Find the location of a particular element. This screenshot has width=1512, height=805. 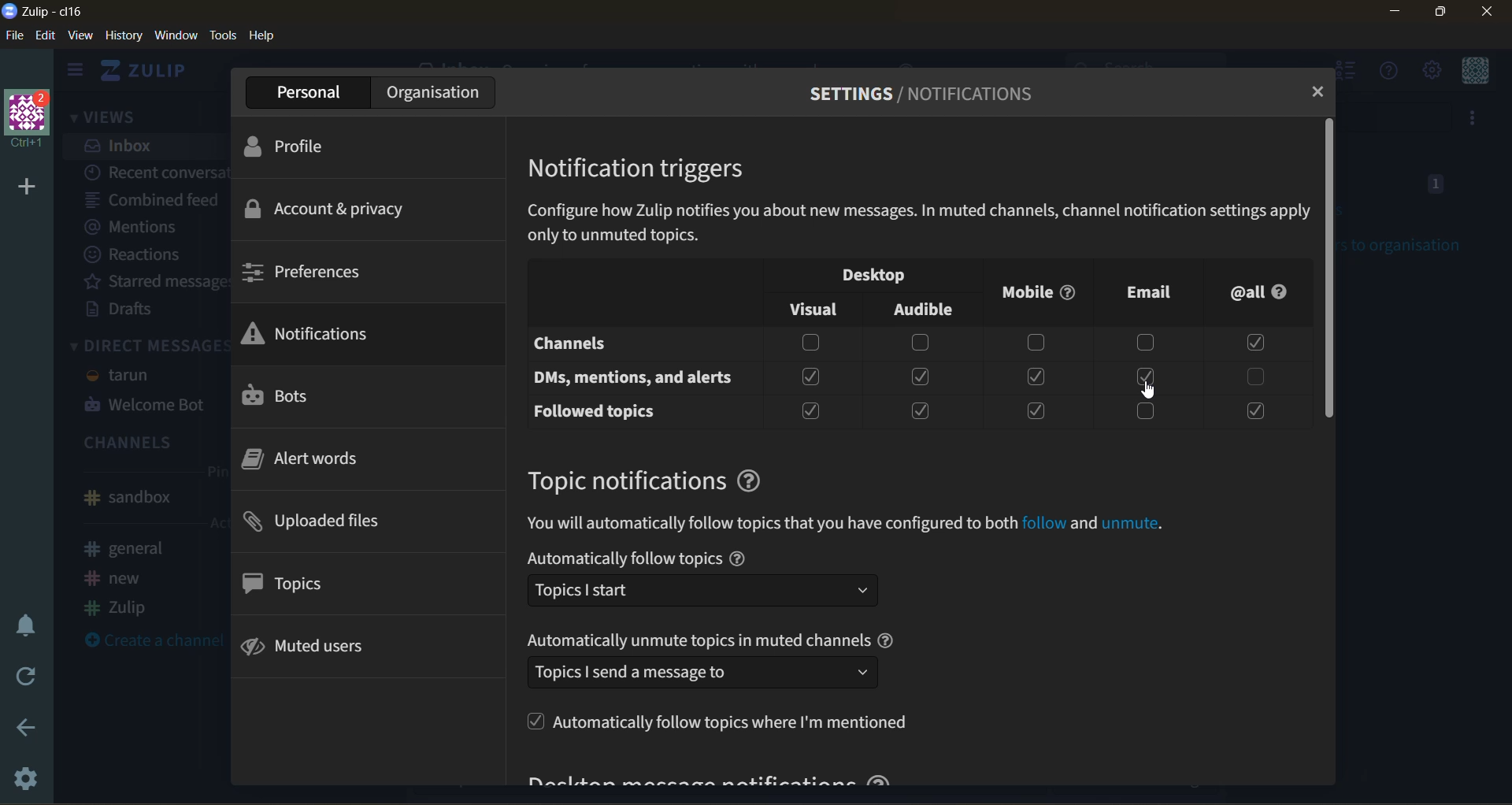

mobile is located at coordinates (1039, 291).